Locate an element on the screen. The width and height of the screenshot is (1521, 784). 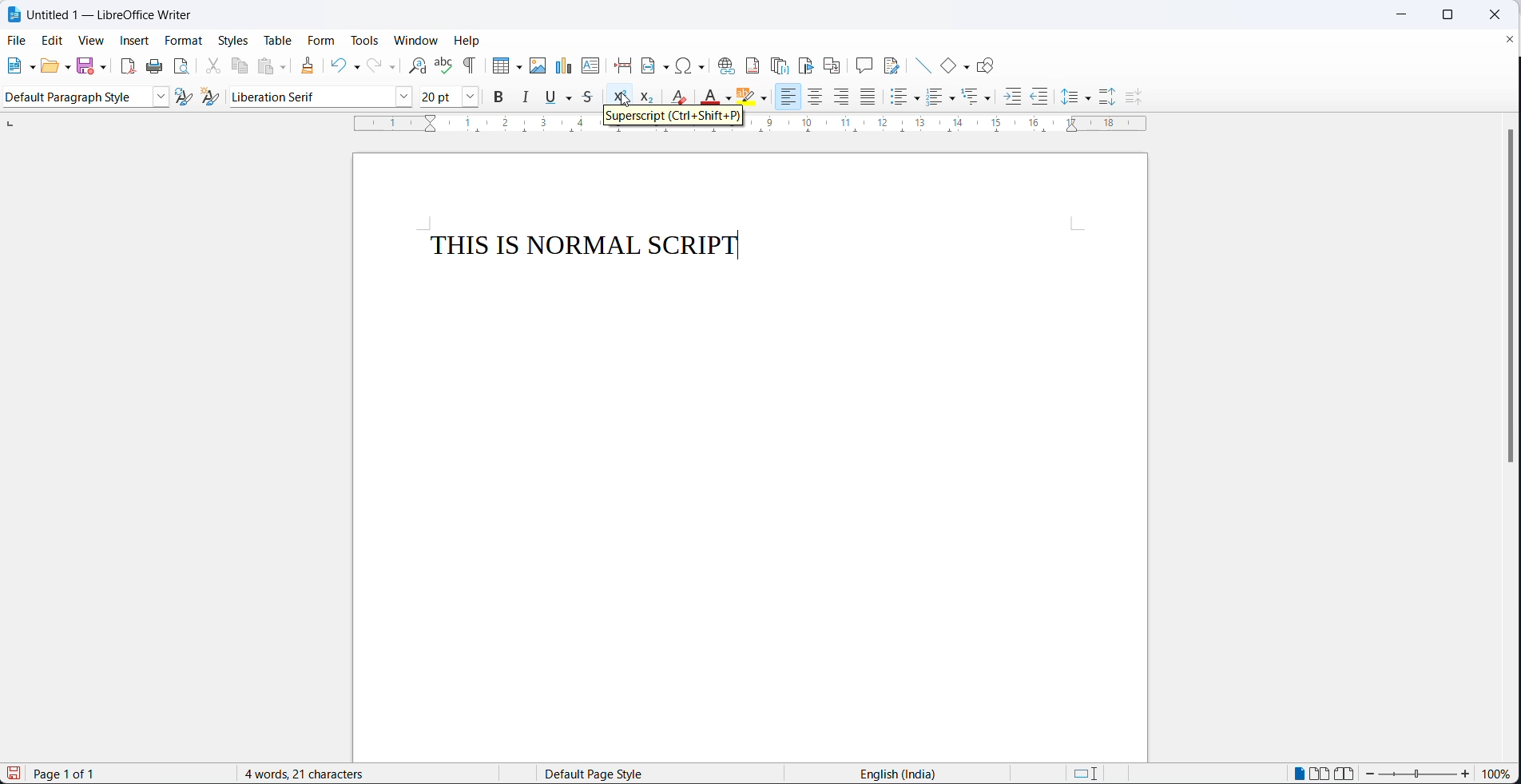
toggle formatting marks is located at coordinates (471, 65).